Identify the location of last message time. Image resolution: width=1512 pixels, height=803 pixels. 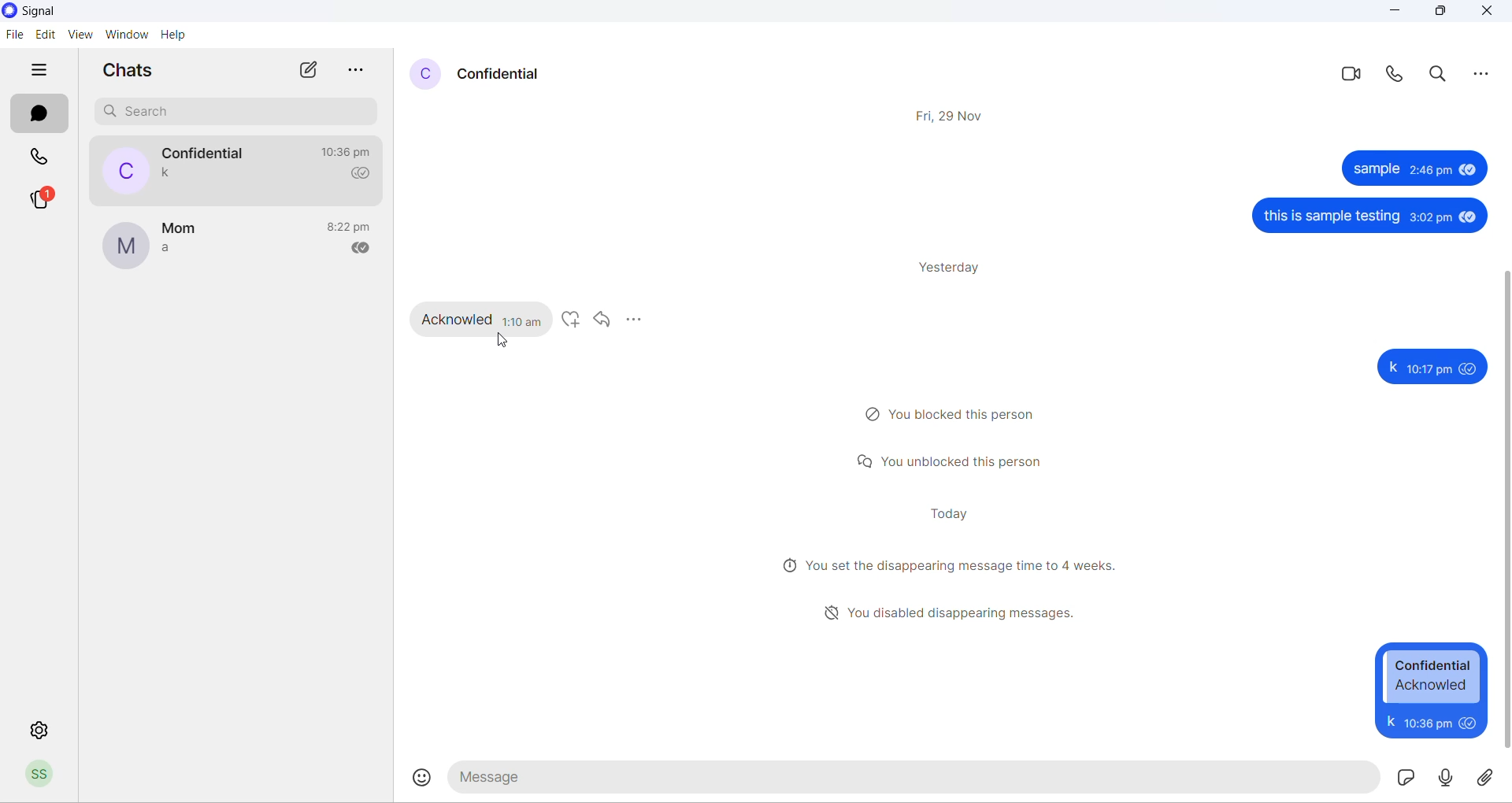
(352, 228).